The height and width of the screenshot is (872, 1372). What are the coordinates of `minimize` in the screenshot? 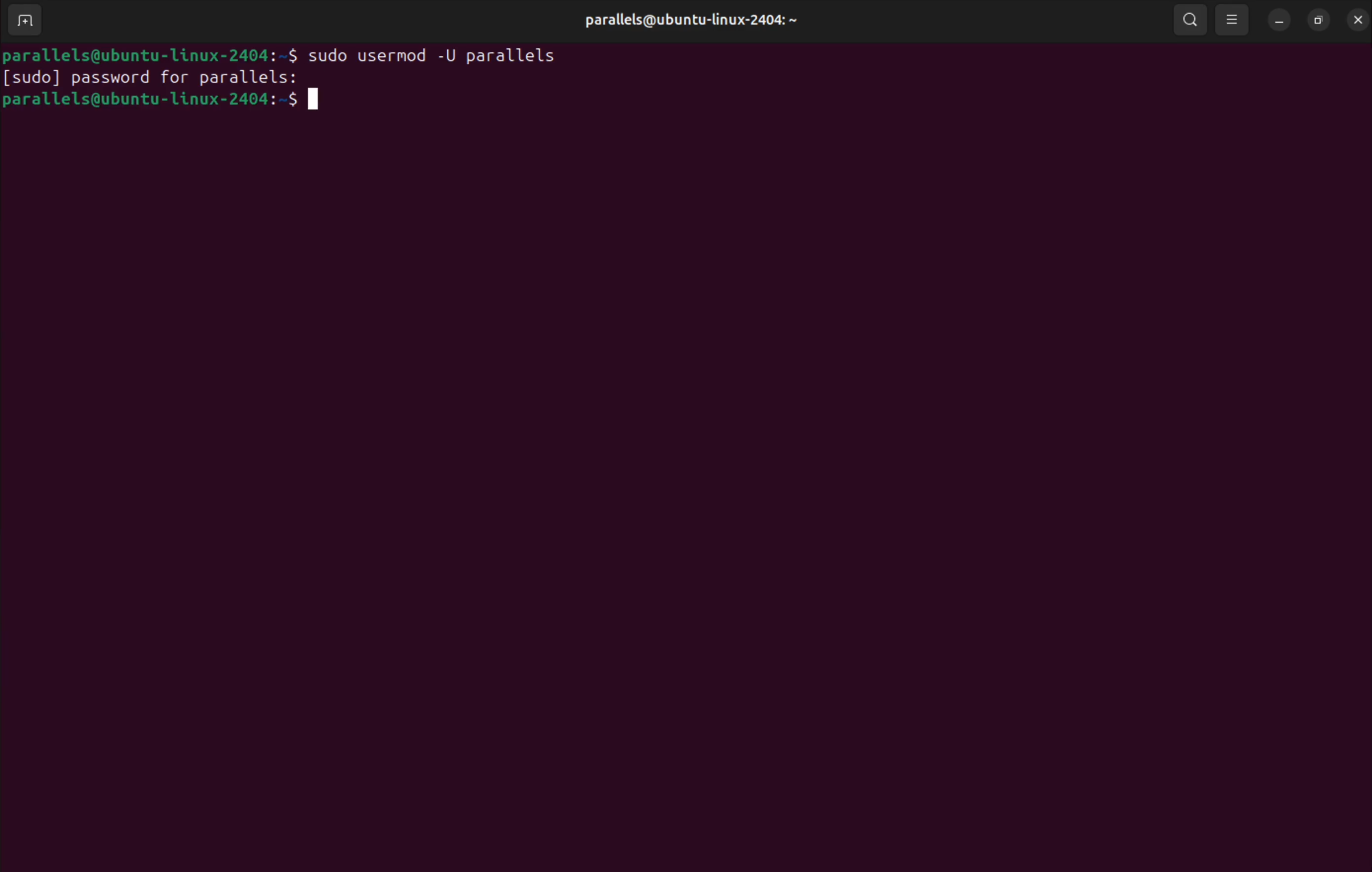 It's located at (1280, 21).